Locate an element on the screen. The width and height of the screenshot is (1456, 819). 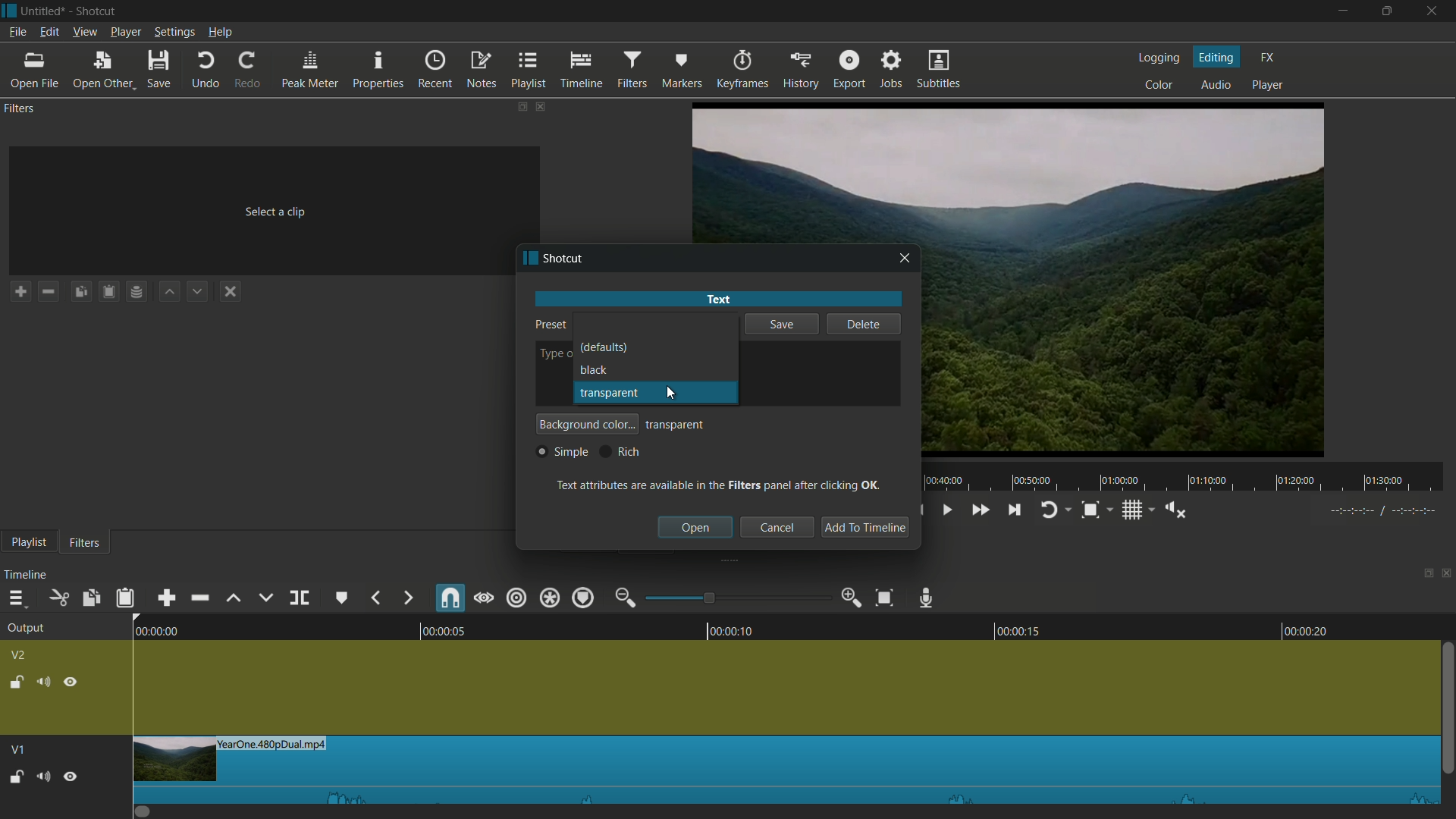
lift is located at coordinates (234, 597).